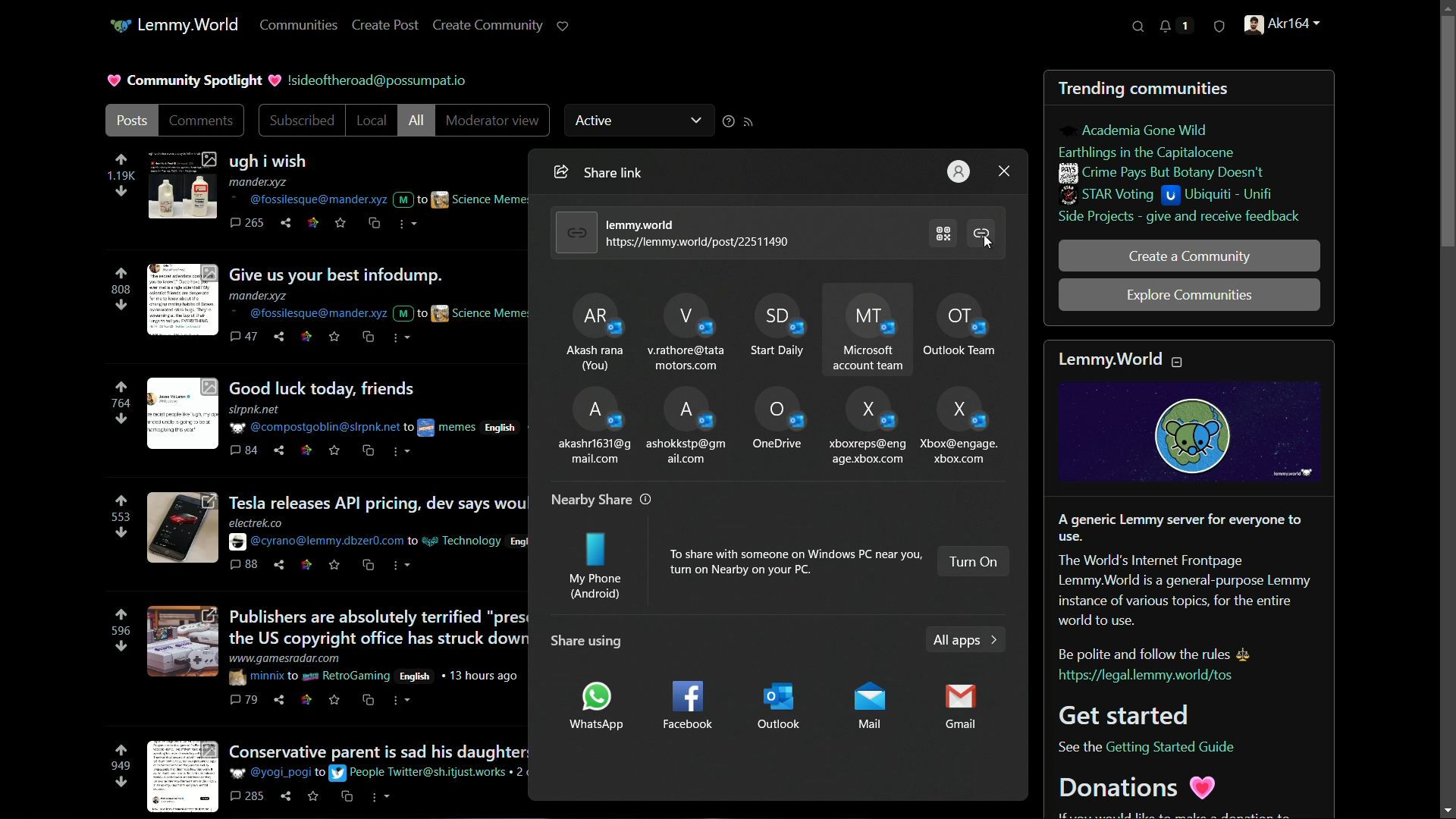 The image size is (1456, 819). Describe the element at coordinates (573, 232) in the screenshot. I see `link to post` at that location.